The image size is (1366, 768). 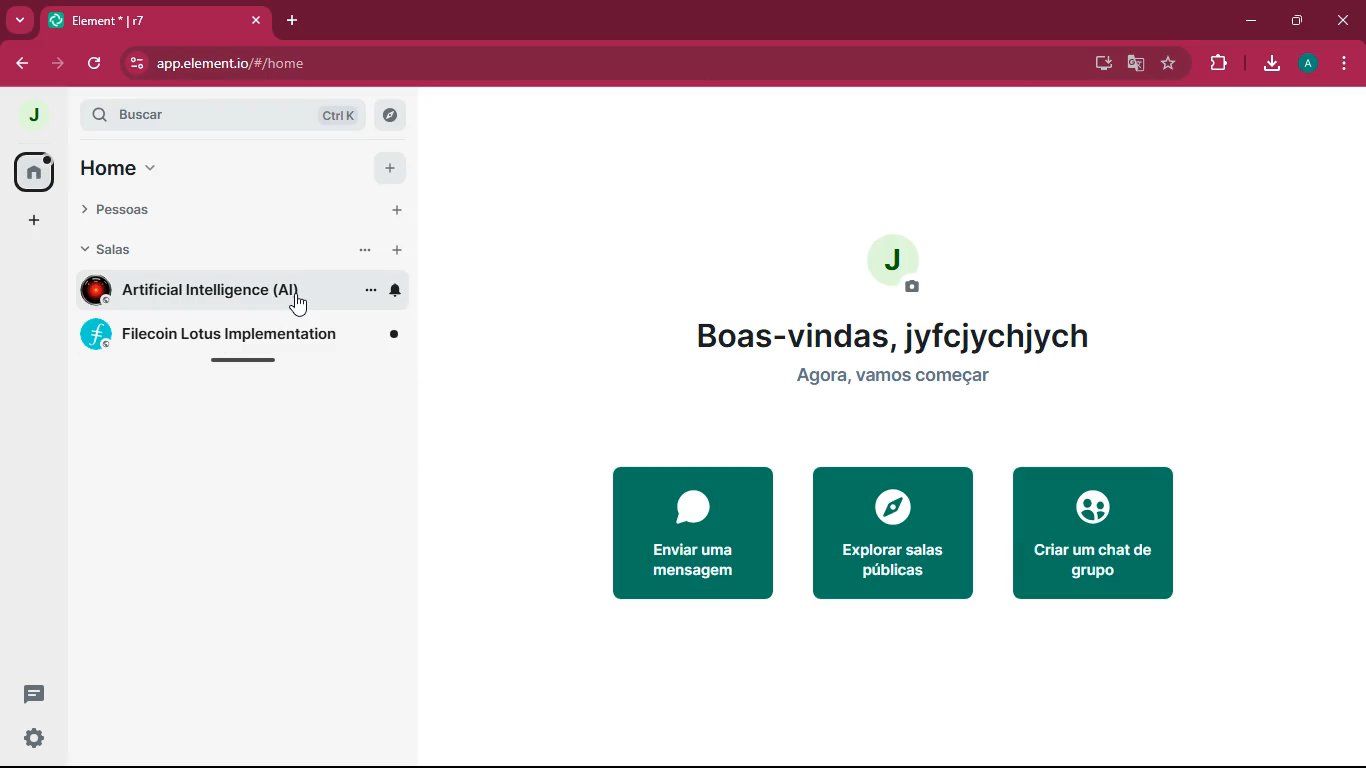 What do you see at coordinates (397, 249) in the screenshot?
I see `add room` at bounding box center [397, 249].